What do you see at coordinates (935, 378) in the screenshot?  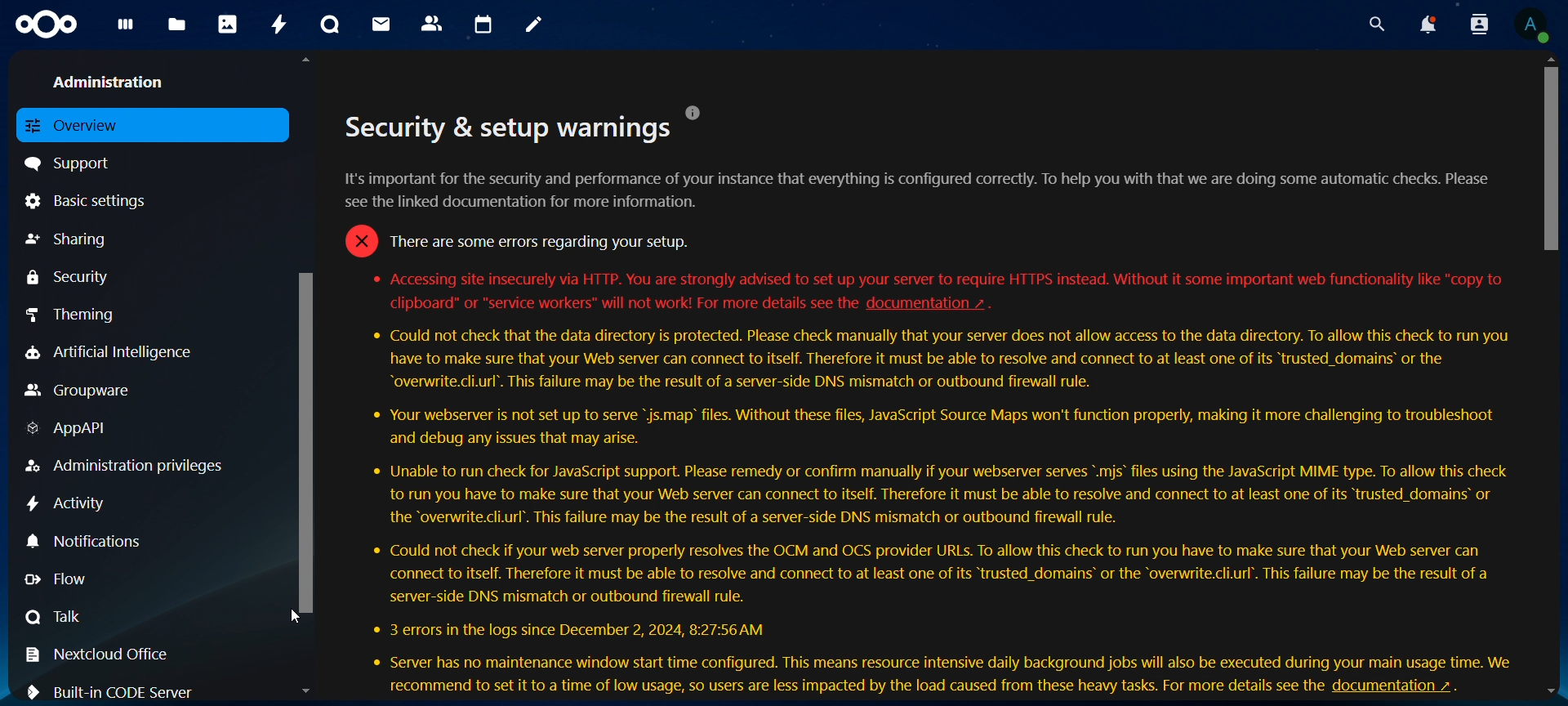 I see `. . [J]
Security & setup warnings
It's important for the security and performance of your instance that everything is configured correctly. To help you with that we are doing some automatic checks. Please
see the linked documentation for more information.
x] There are some errors regarding your setup.

* Accessing site insecurely via HTTP. You are strongly advised to set up your server to require HTTPS instead. Without it some important web functionality like “copy to
clipboard” or "service workers" will not work! For more details see the documentation ~ .

* Could not check that the data directory is protected. Please check manually that your server does not allow access to the data directory. To allow this check to run you
have to make sure that your Web server can connect to itself. Therefore it must be able to resolve and connect to at least one of its “trusted_domains™ or the
“overwrite.cli.url”. This failure may be the result of a server-side DNS mismatch or outbound firewall rule.

* Your webserver is not set up to serve "js.map’ files. Without these files, JavaScript Source Maps won't function properly, making it more challenging to troubleshoot
and debug any issues that may arise.

* Unable to run check for JavaScript support. Please remedy or confirm manually if your webserver serves "mjs’ files using the JavaScript MIME type. To allow this check
to run you have to make sure that your Web server can connect to itself. Therefore it must be able to resolve and connect to at least one of its “trusted_domains’ or

] the “overwrite.cli.url’. This failure may be the result of a server-side DNS mismatch or outbound firewall rule.

* Could not check if your web server properly resolves the OCM and OCS provider URLs. To allow this check to run you have to make sure that your Web server can
connect to itself. Therefore it must be able to resolve and connect to at least one of its “trusted_domains’ or the “overwrite.cli.url’. This failure may be the result of a
server-side DNS mismatch or outbound firewall rule.

* 3 errors in the logs since December 2, 2024, 8:27:56 AM

* Server has no maintenance window start time configured. This means resource intensive daily background jobs will also be executed during your main usage time. We

~ recommend to set it to a time of low usage, so users are less impacted by the load caused from these heavy tasks. For more details see the documentation ~ .` at bounding box center [935, 378].